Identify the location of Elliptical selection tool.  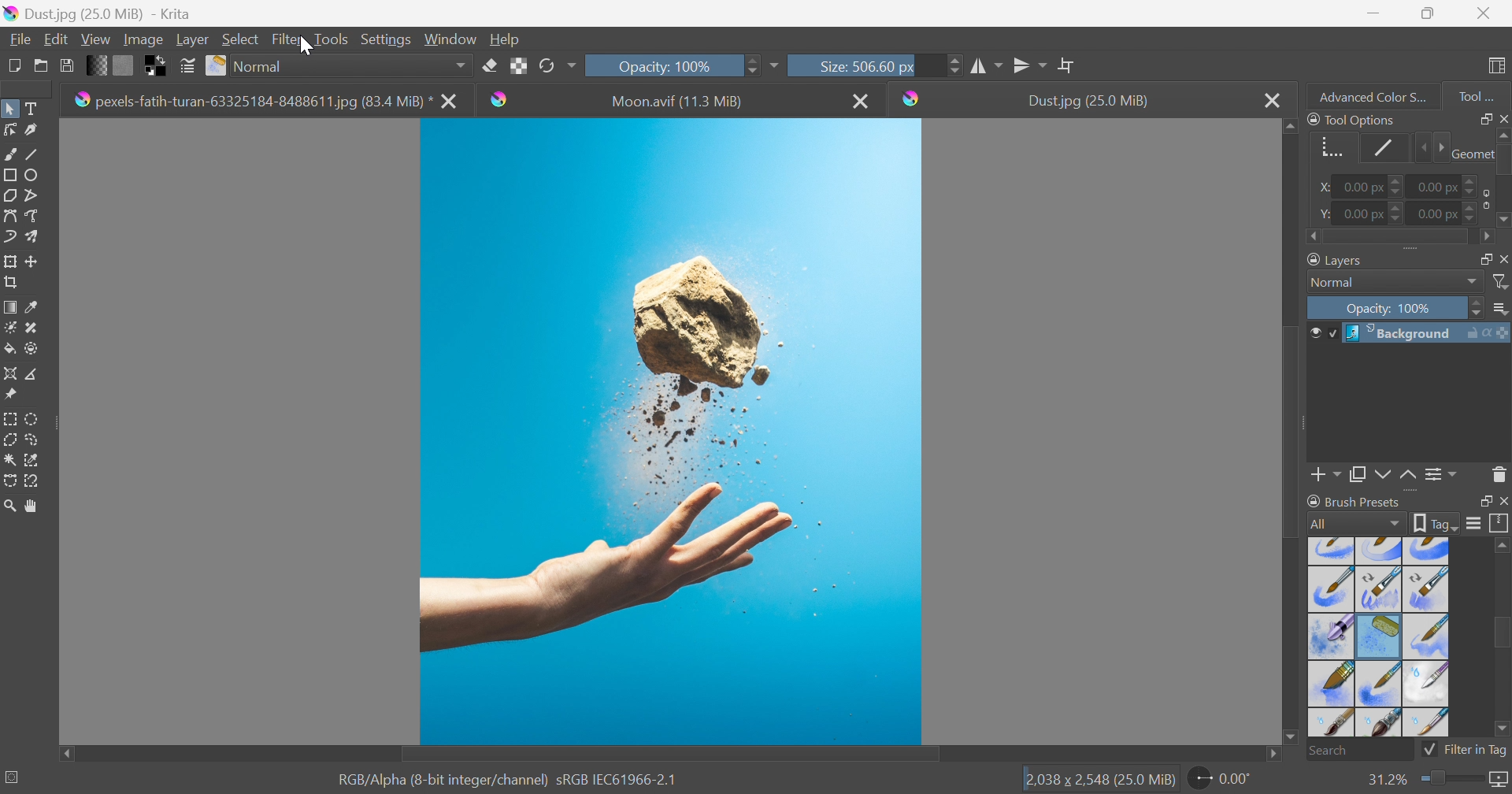
(33, 418).